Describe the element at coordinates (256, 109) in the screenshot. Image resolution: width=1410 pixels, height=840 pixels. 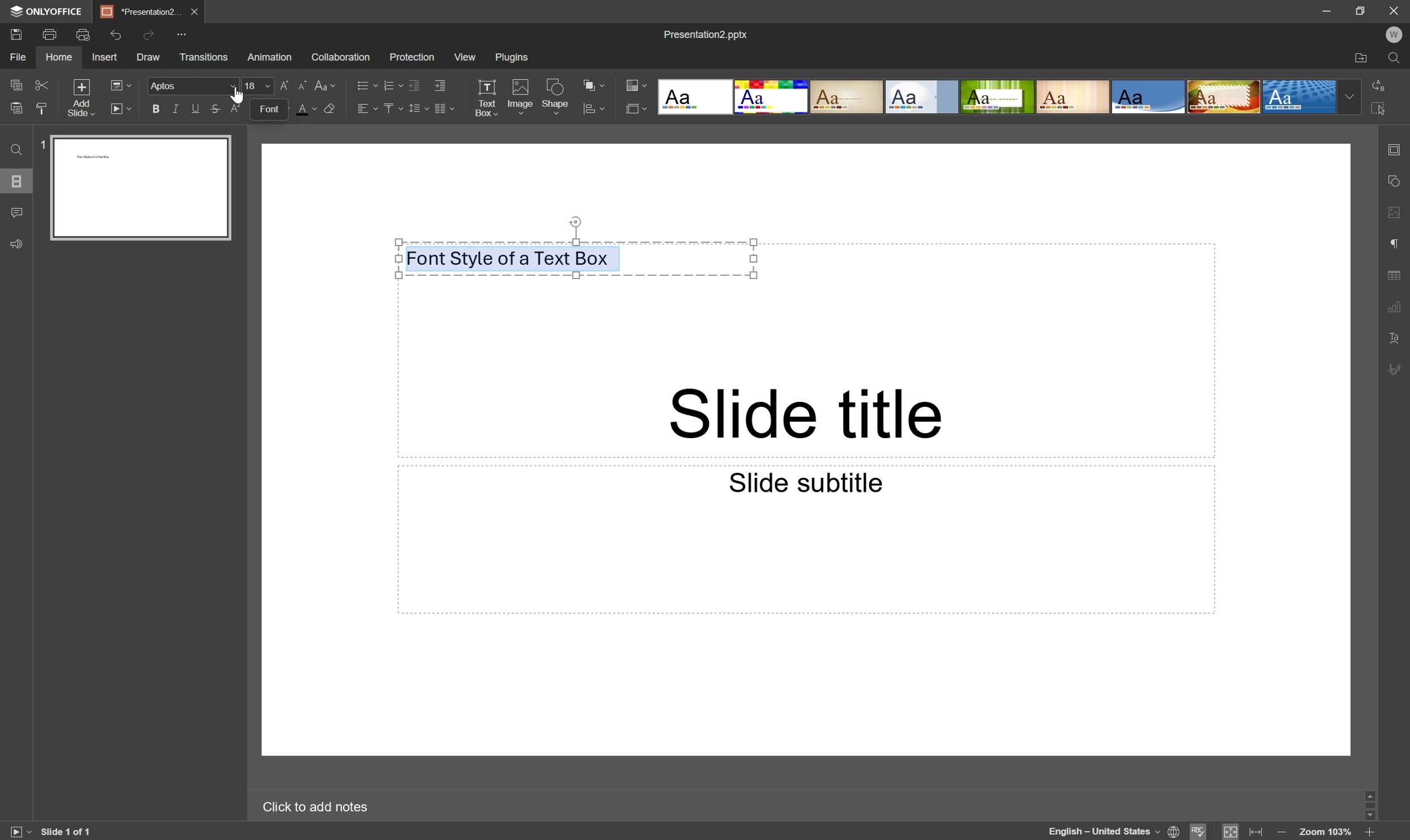
I see `Subscript` at that location.